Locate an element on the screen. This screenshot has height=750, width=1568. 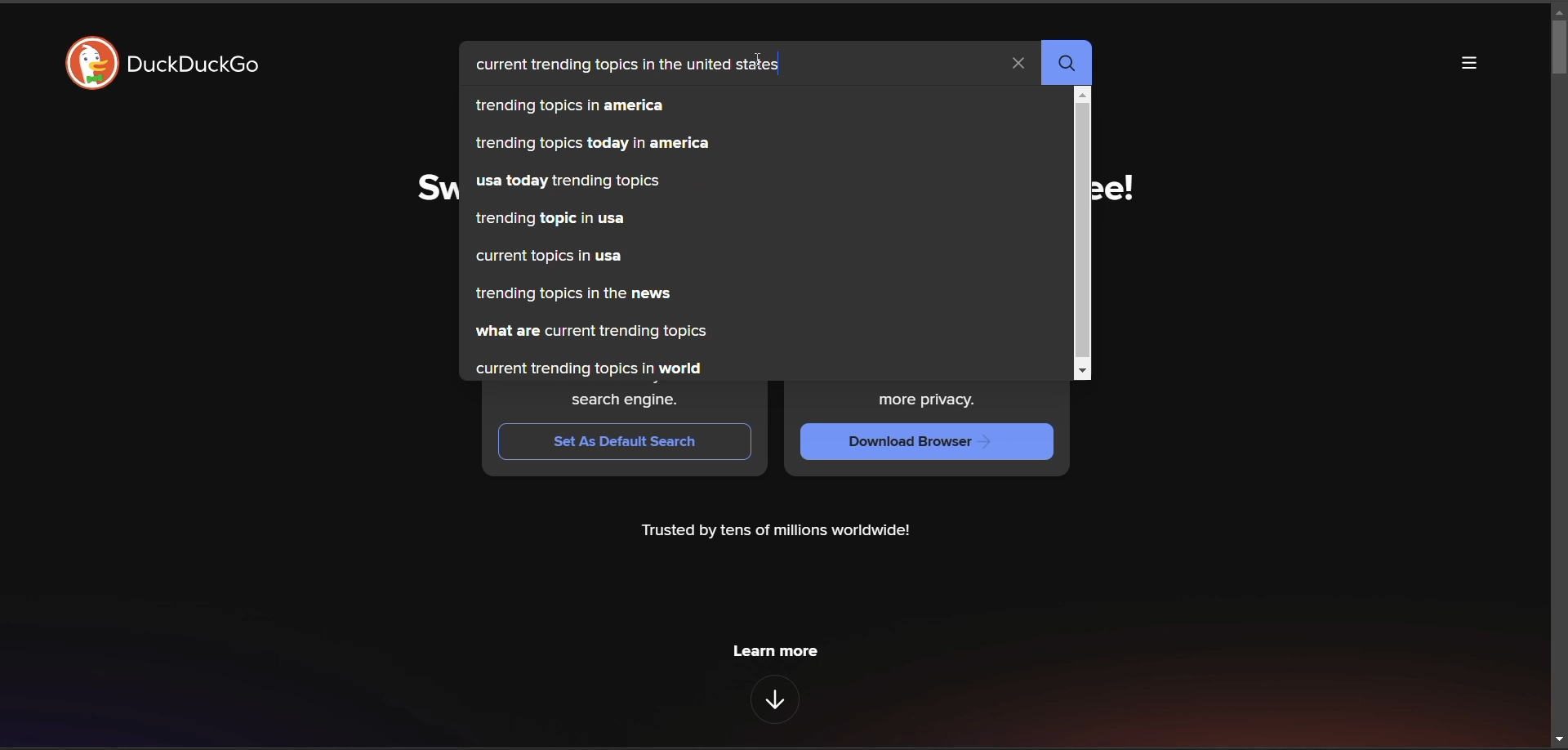
duckDuckGo is located at coordinates (200, 64).